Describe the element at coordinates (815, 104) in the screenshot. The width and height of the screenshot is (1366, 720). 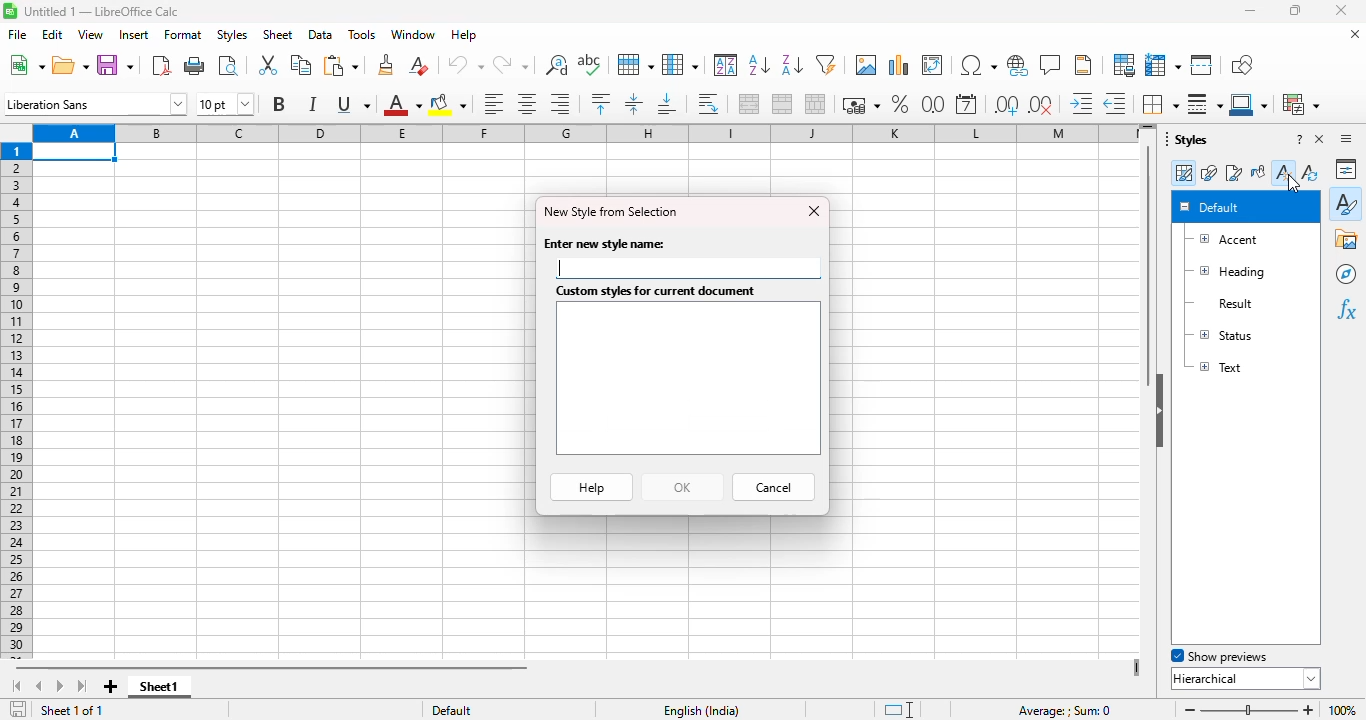
I see `unmerge cells` at that location.